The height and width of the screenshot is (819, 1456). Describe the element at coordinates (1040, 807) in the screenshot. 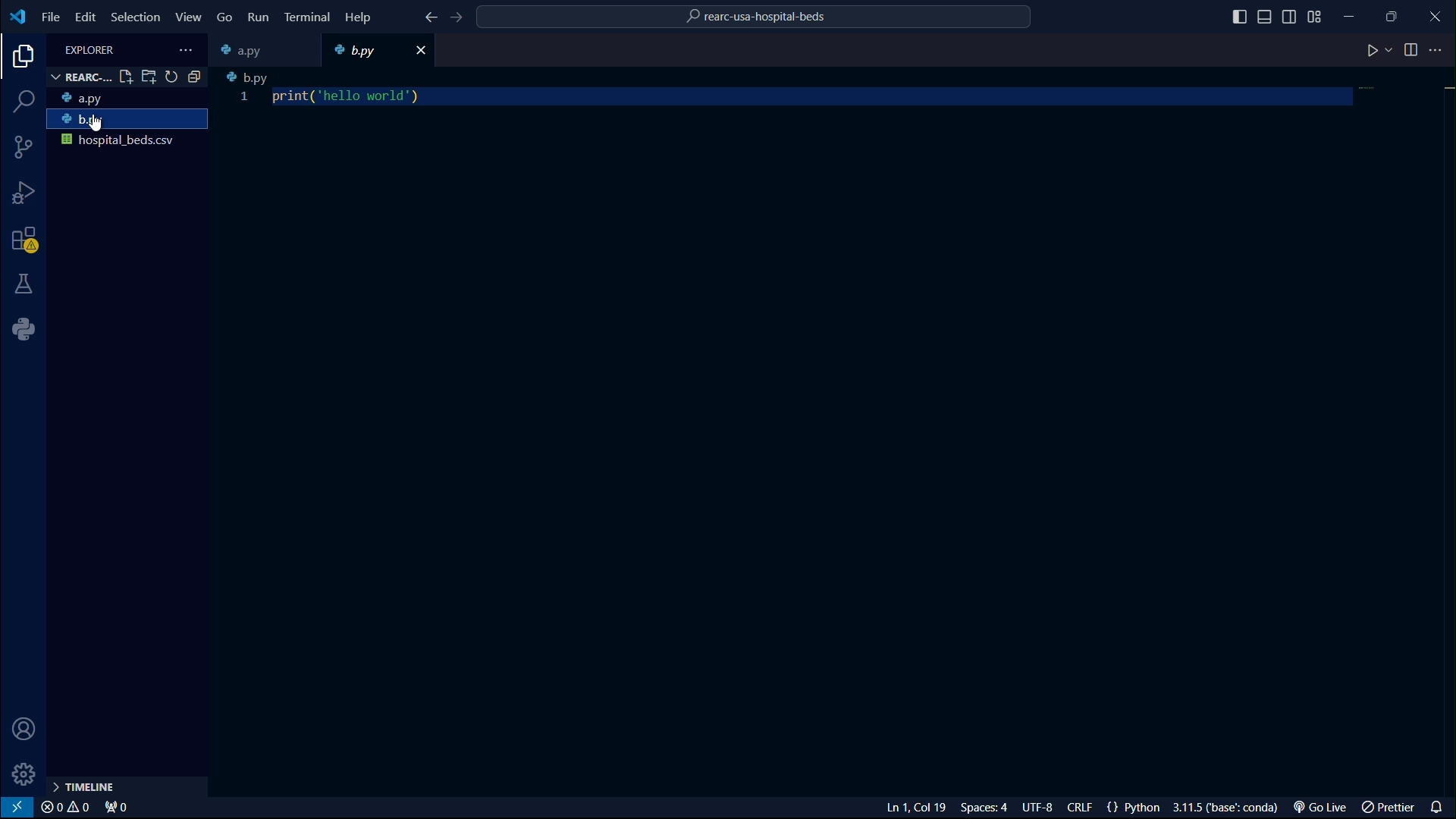

I see `UTF-8` at that location.